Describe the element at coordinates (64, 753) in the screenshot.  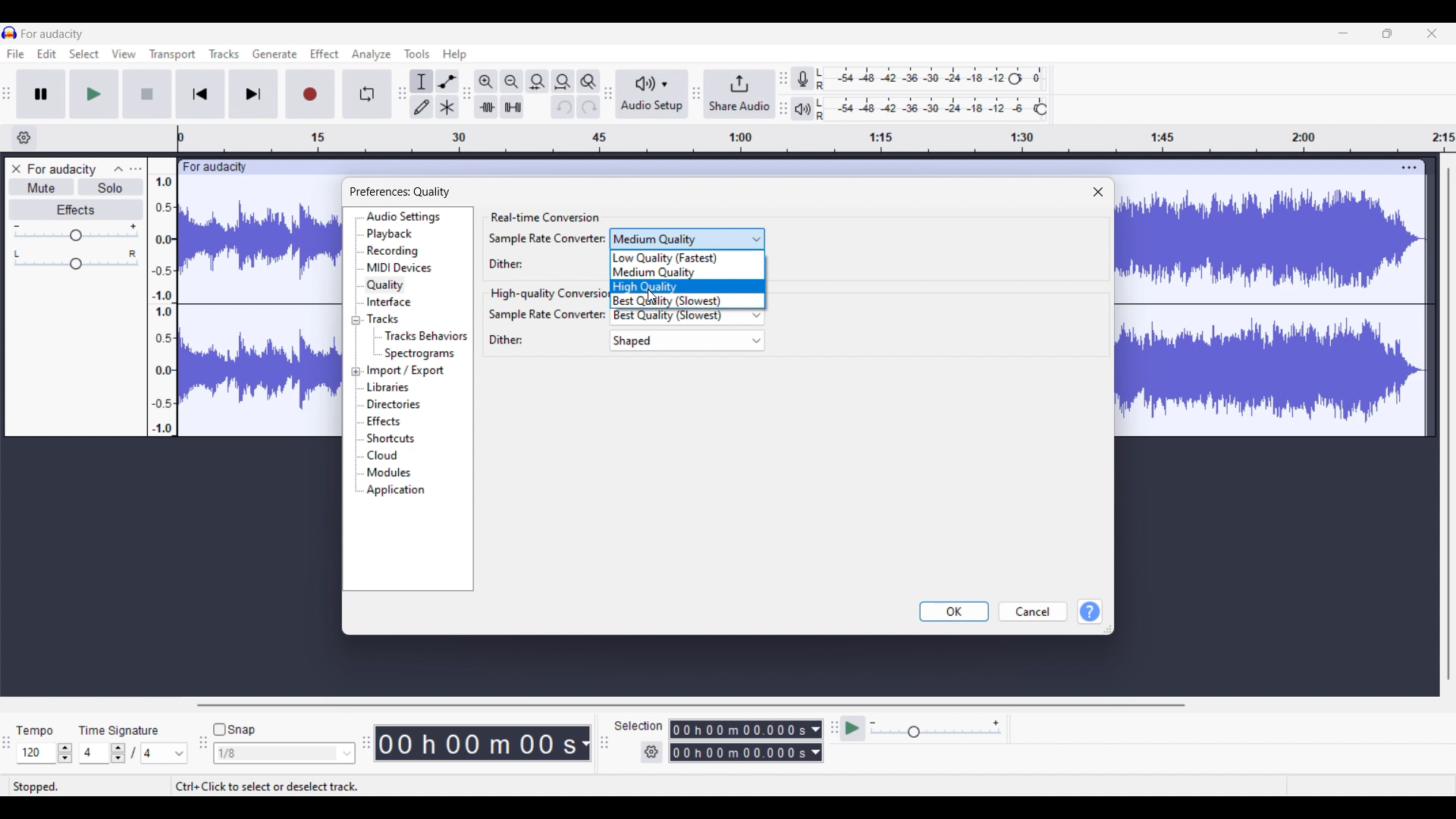
I see `Increase/Decrease Tempo` at that location.